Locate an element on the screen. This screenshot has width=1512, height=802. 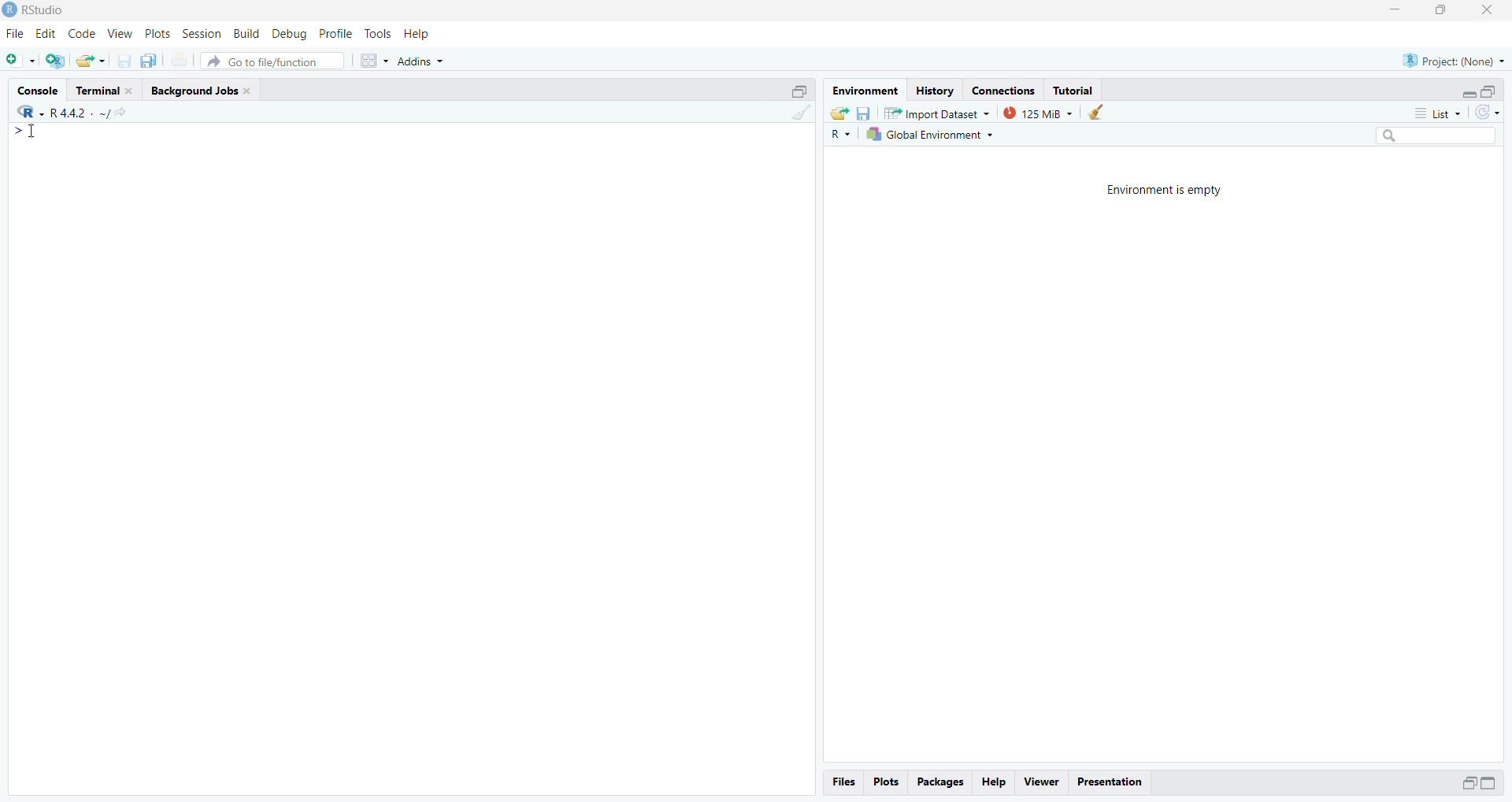
open existing file is located at coordinates (91, 61).